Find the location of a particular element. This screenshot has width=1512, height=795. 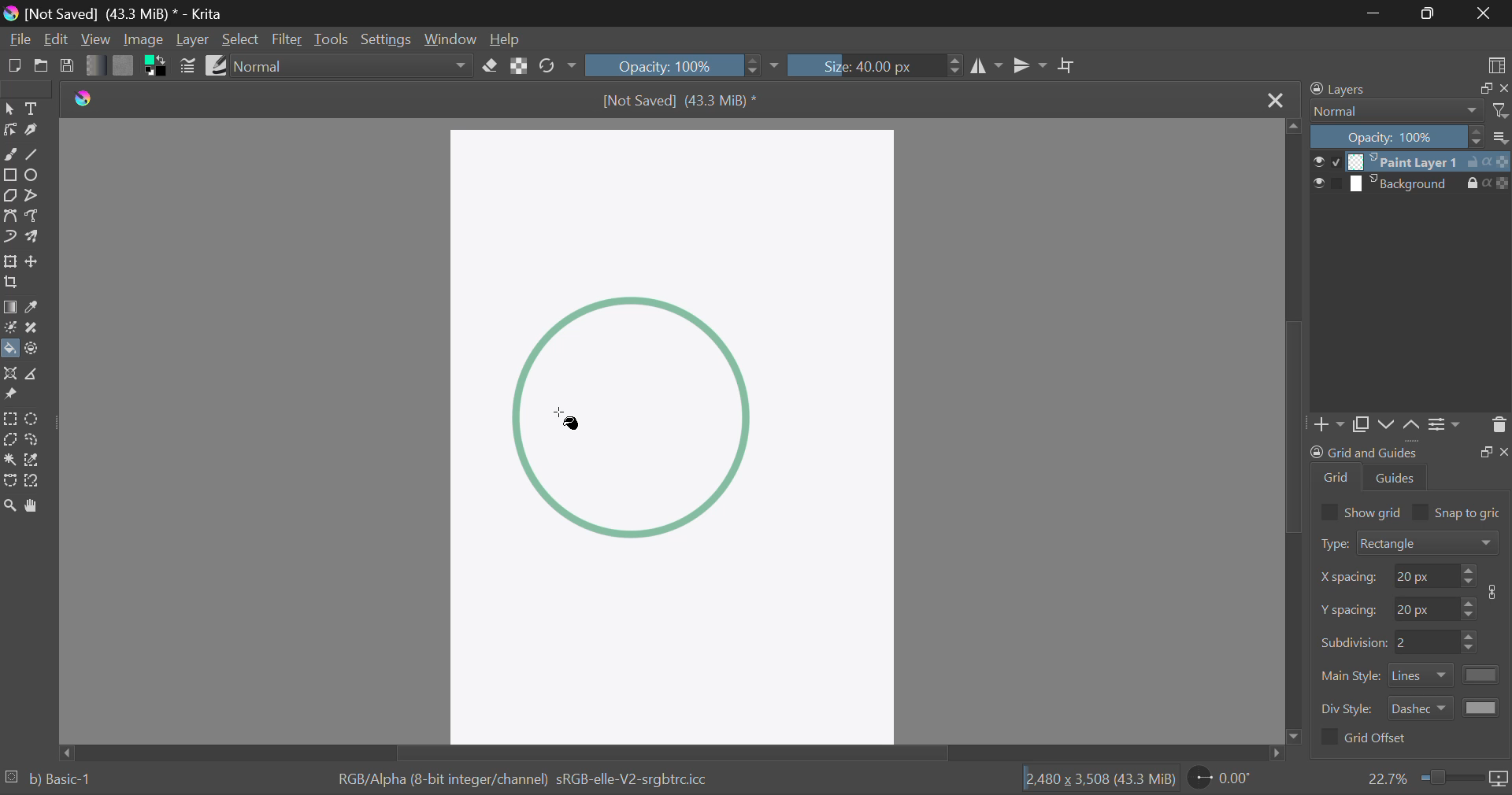

Minimize is located at coordinates (1431, 13).